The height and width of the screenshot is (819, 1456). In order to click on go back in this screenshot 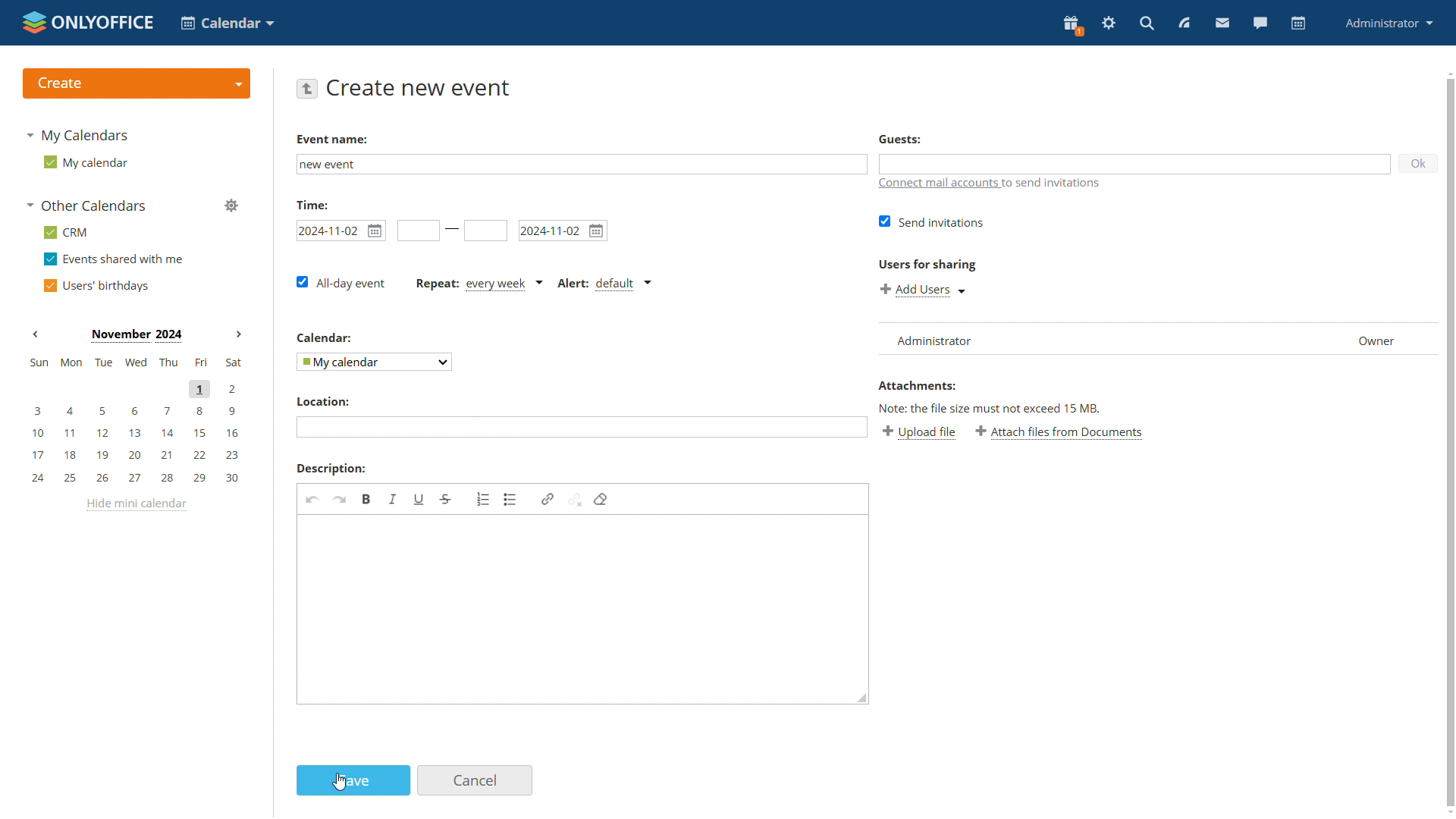, I will do `click(308, 89)`.